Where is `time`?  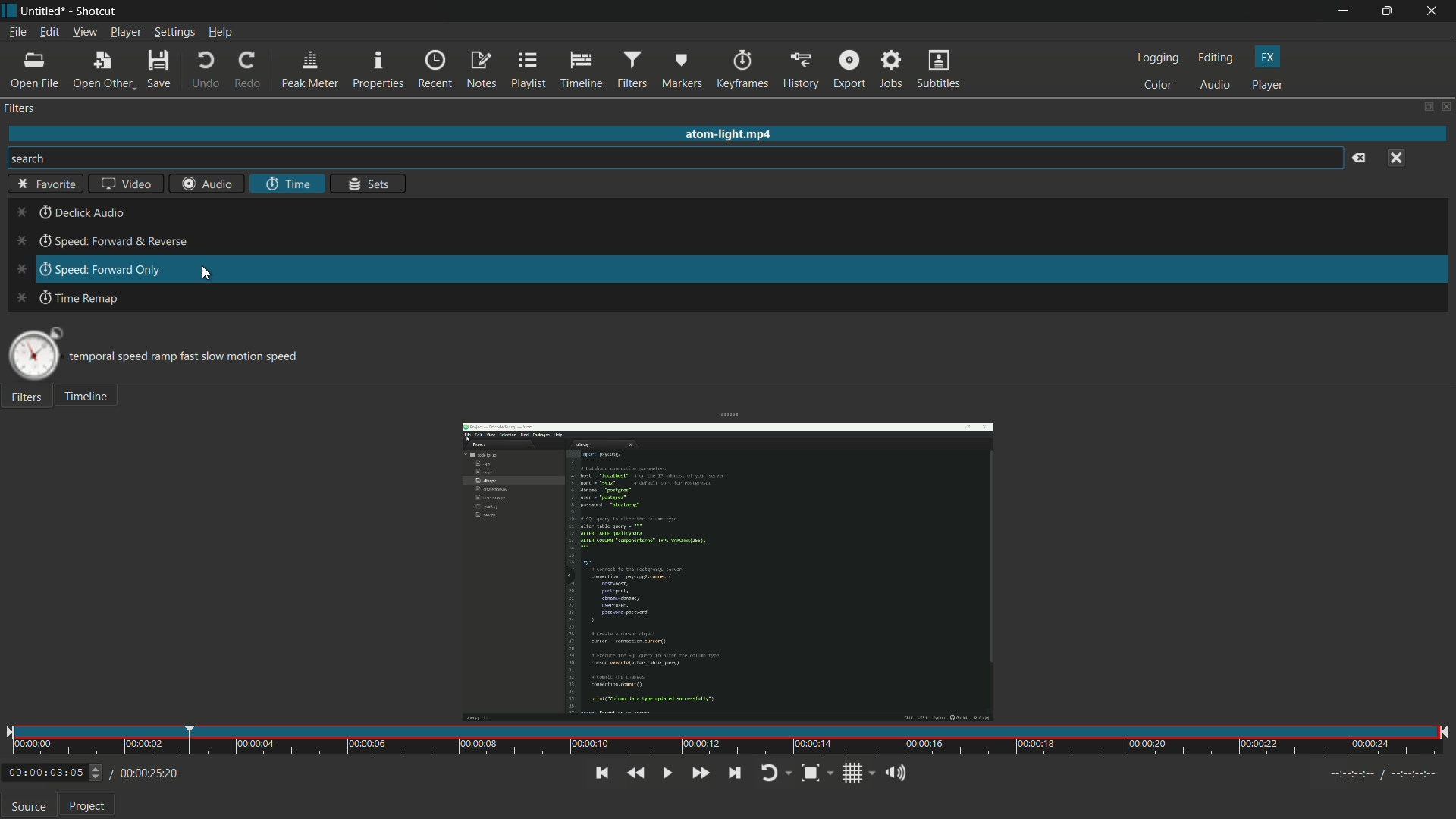
time is located at coordinates (287, 184).